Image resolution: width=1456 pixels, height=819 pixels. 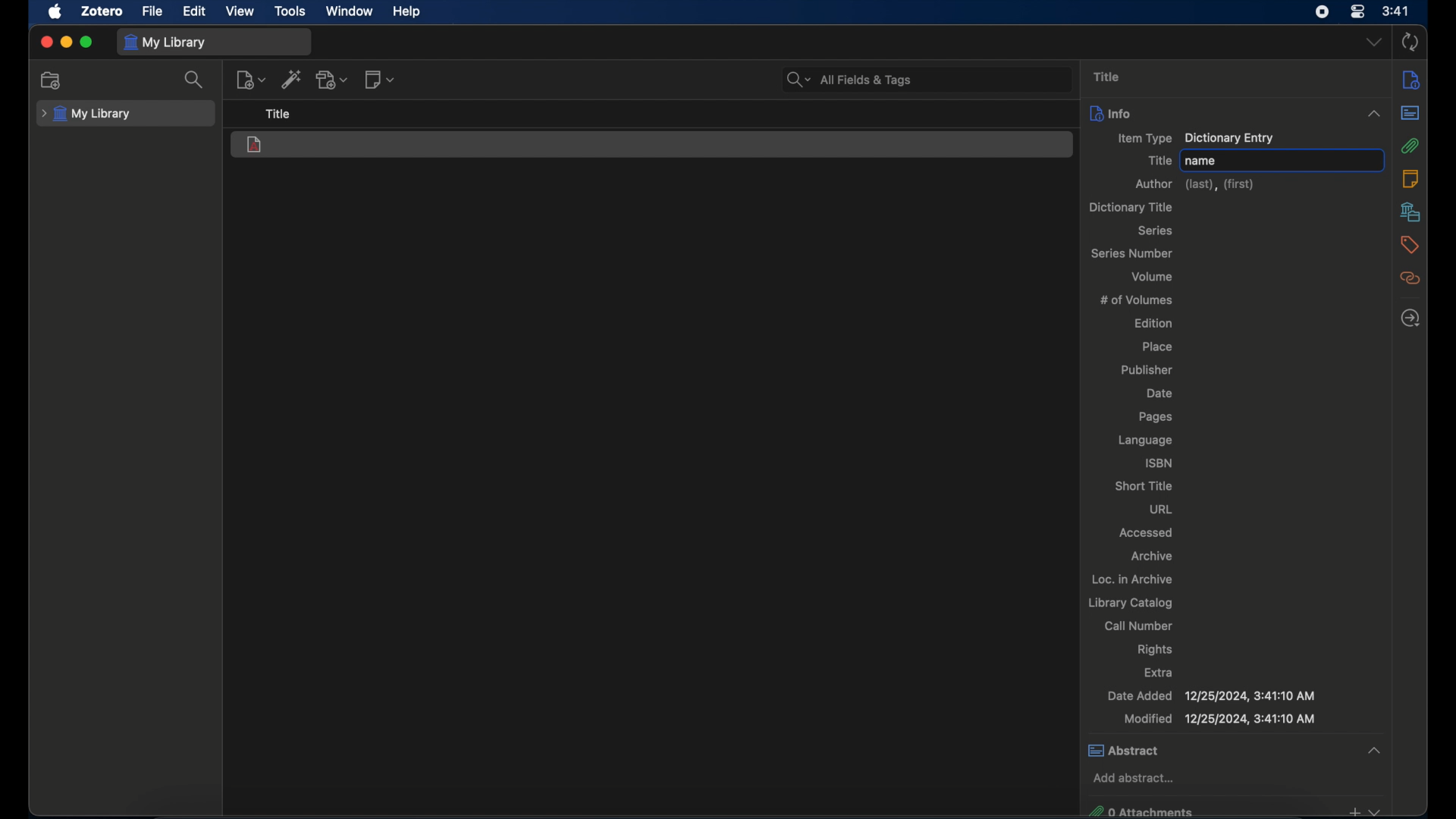 What do you see at coordinates (1410, 318) in the screenshot?
I see `locate` at bounding box center [1410, 318].